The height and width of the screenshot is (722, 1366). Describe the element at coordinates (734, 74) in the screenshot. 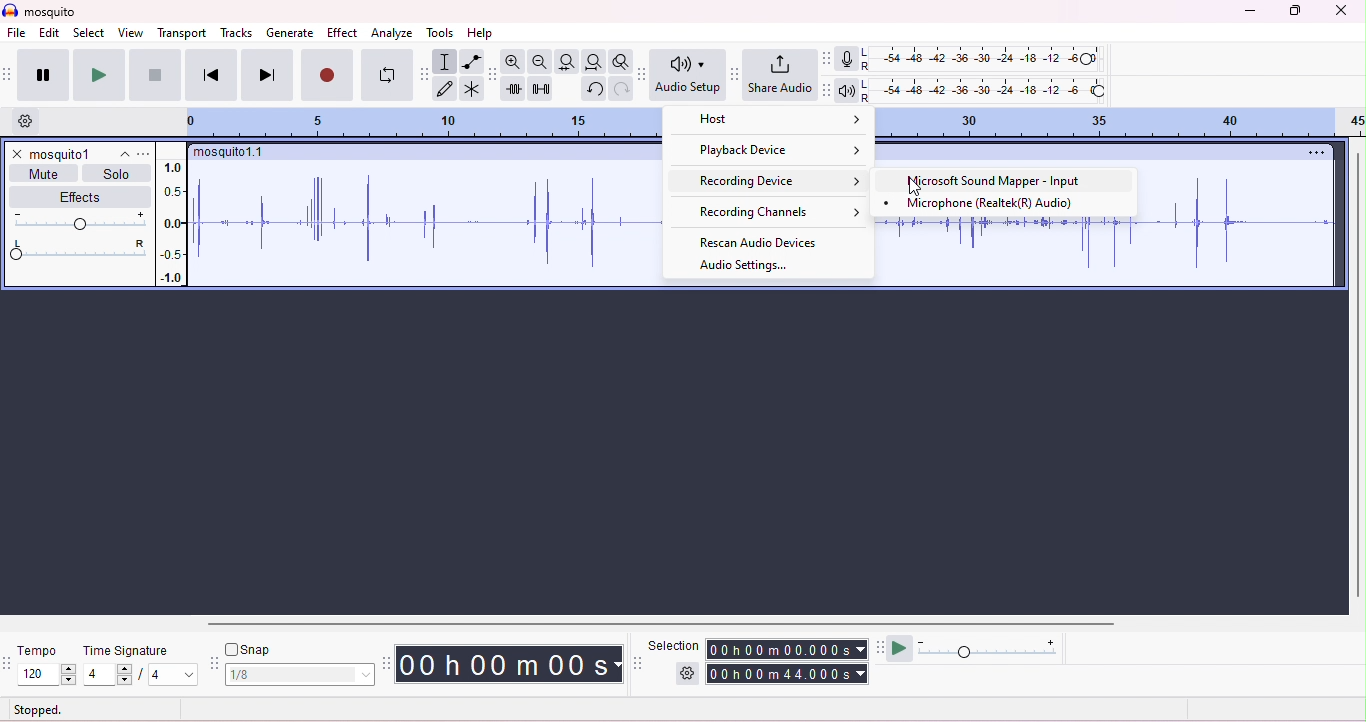

I see `share audio tool bar` at that location.